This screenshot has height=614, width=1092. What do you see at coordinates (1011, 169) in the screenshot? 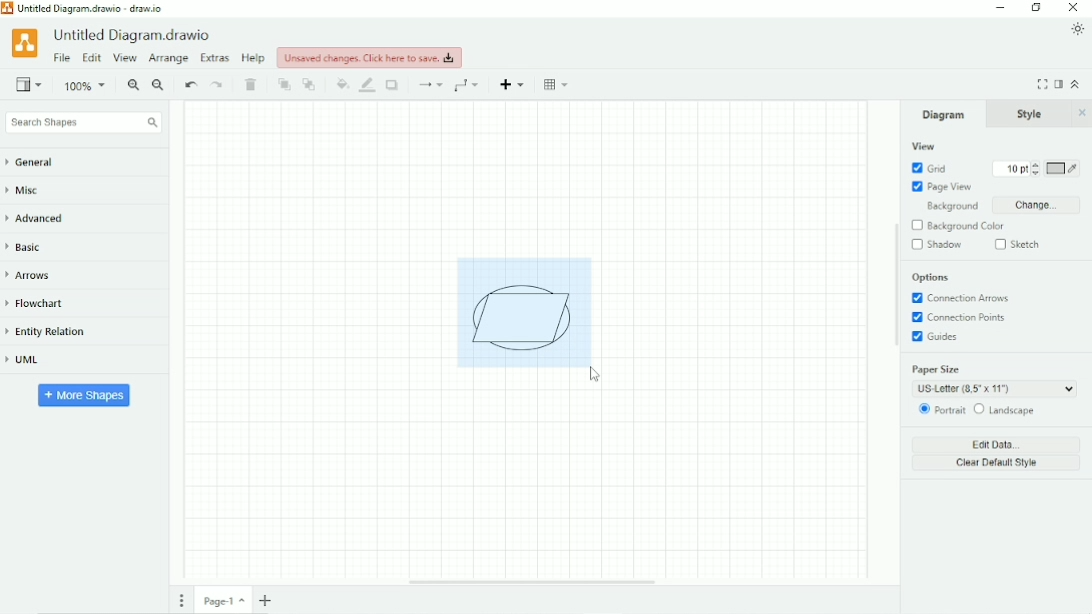
I see `Grid size` at bounding box center [1011, 169].